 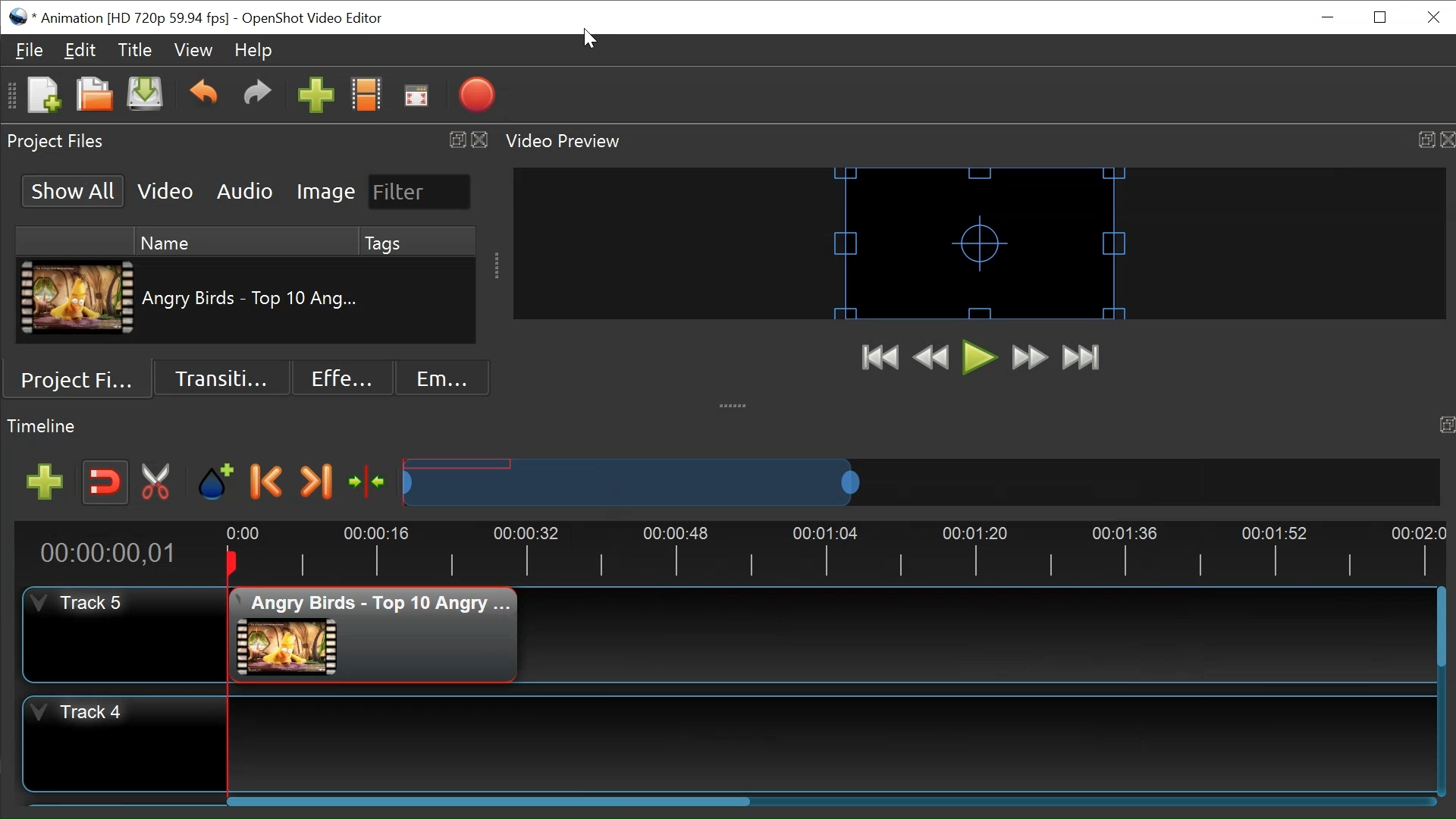 What do you see at coordinates (312, 19) in the screenshot?
I see `OpenShot Video Editor` at bounding box center [312, 19].